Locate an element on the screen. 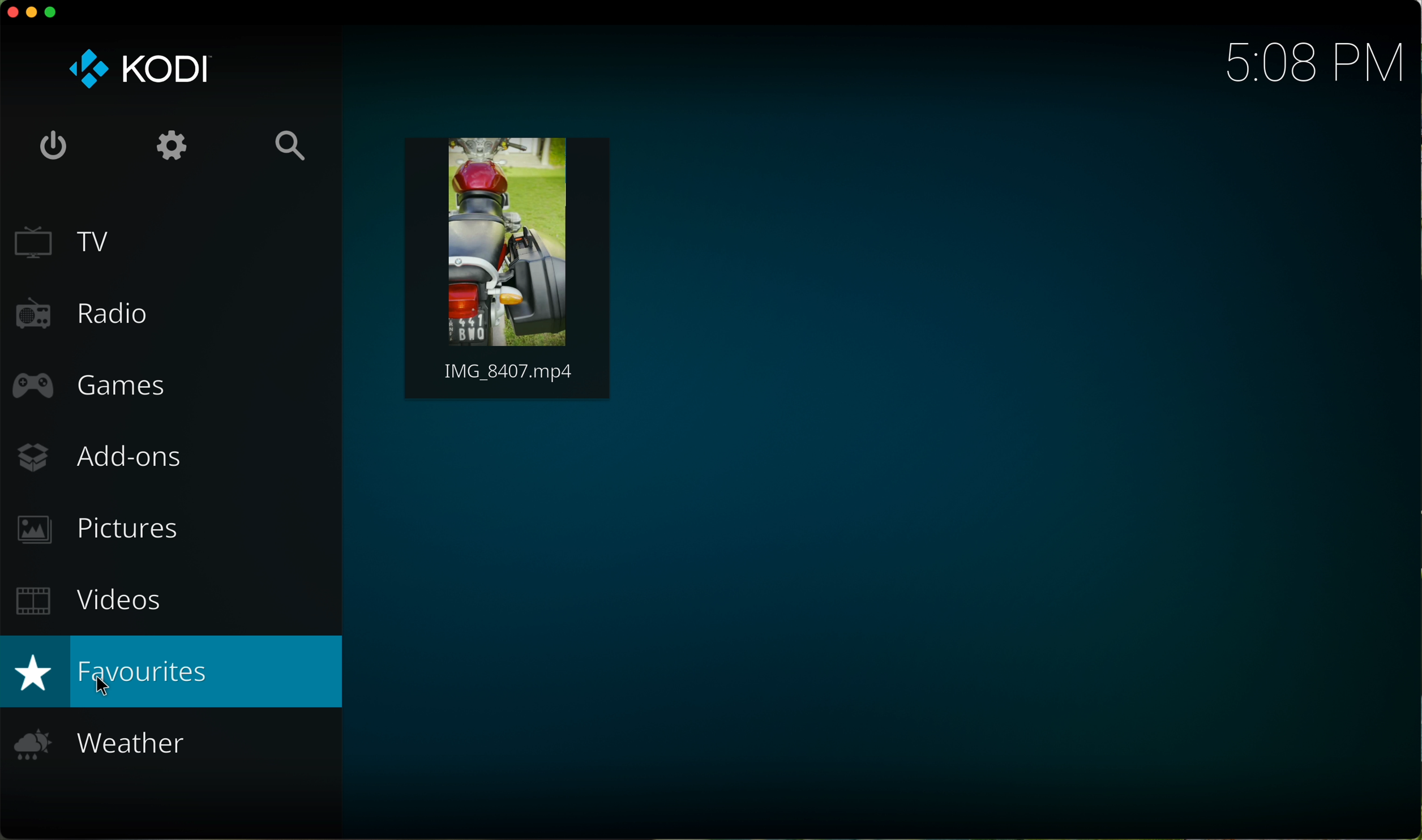 Image resolution: width=1422 pixels, height=840 pixels. games is located at coordinates (89, 389).